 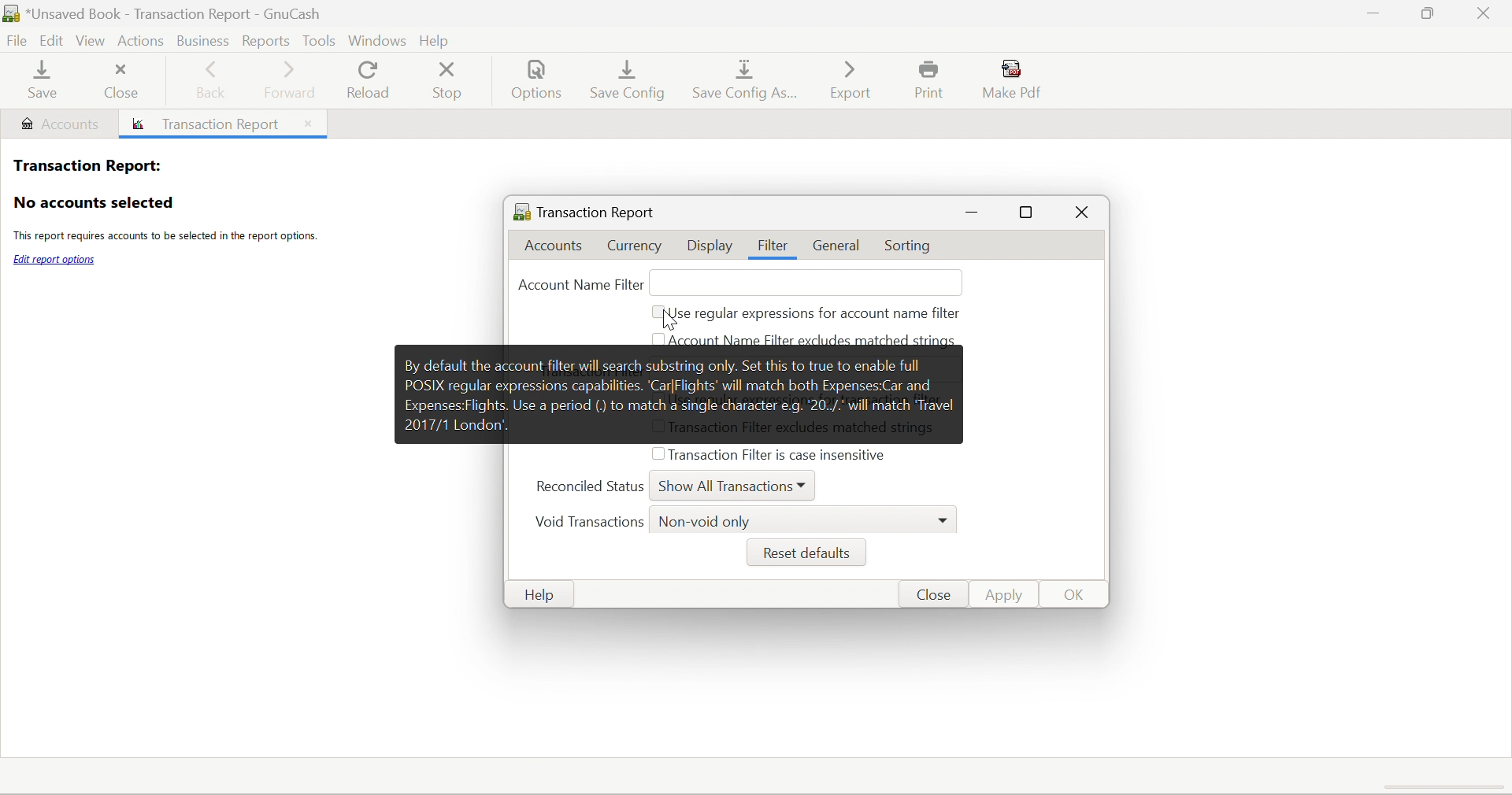 What do you see at coordinates (93, 42) in the screenshot?
I see `View` at bounding box center [93, 42].